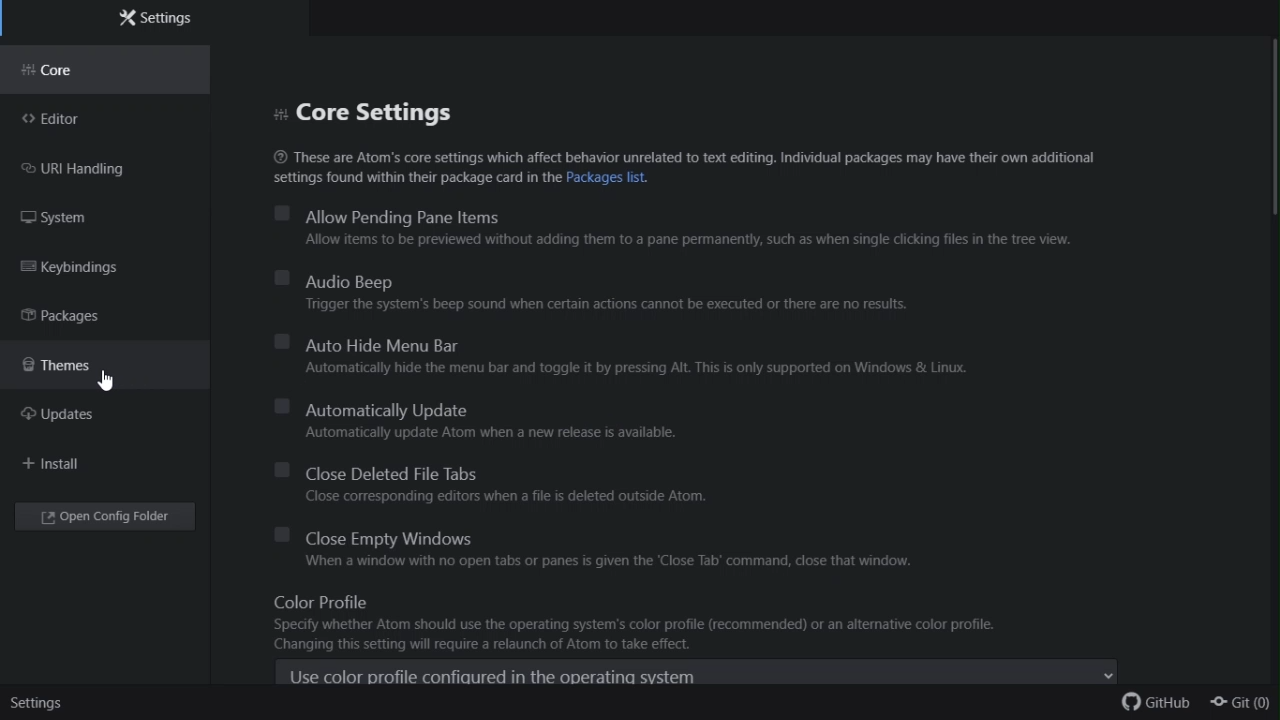 The height and width of the screenshot is (720, 1280). Describe the element at coordinates (79, 219) in the screenshot. I see `System` at that location.